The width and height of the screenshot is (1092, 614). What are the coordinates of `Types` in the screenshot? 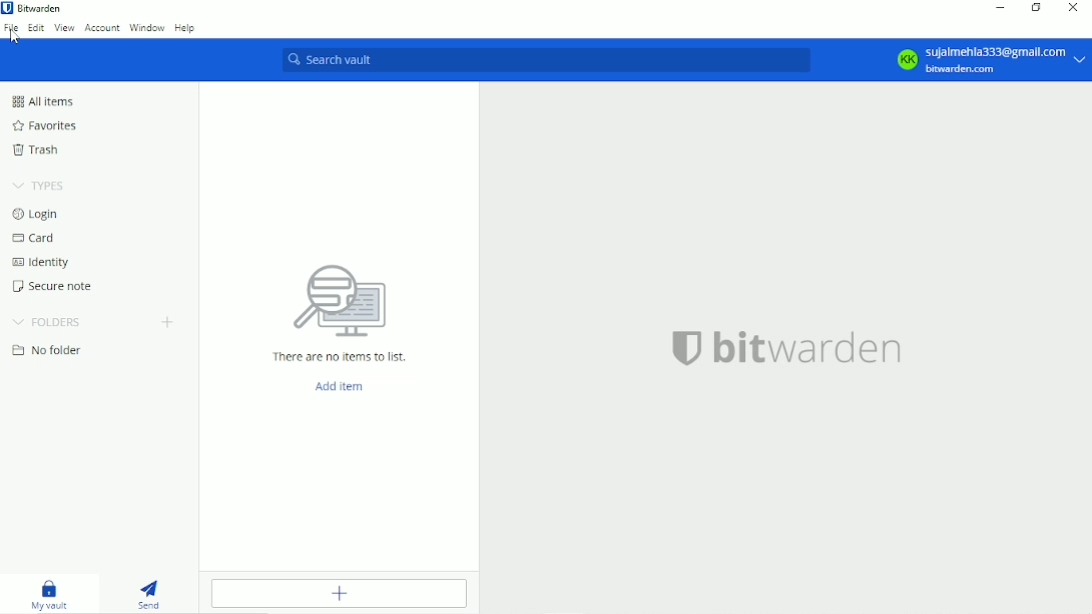 It's located at (42, 186).